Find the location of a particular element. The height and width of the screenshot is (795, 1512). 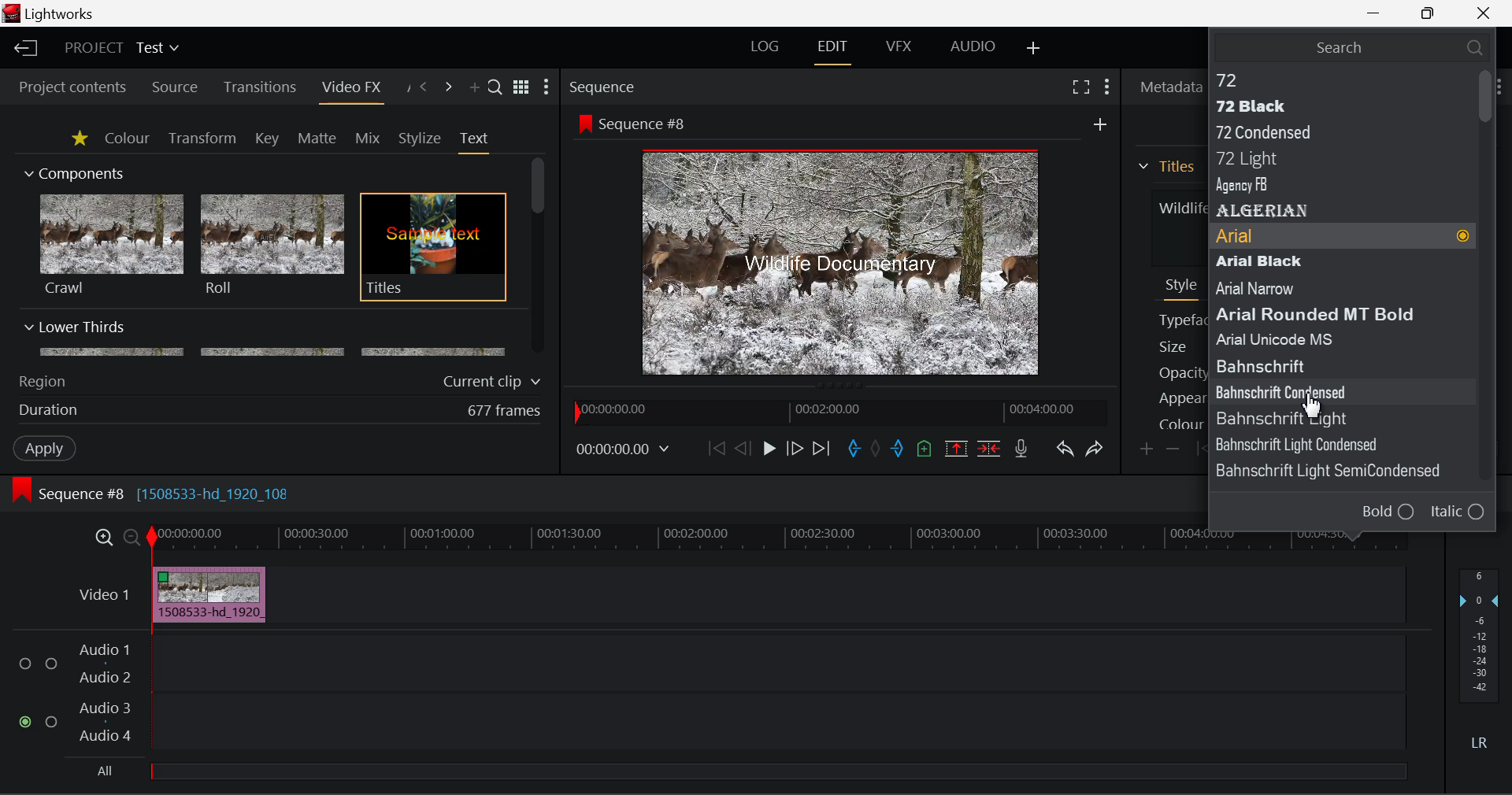

Cursor Position is located at coordinates (1312, 403).